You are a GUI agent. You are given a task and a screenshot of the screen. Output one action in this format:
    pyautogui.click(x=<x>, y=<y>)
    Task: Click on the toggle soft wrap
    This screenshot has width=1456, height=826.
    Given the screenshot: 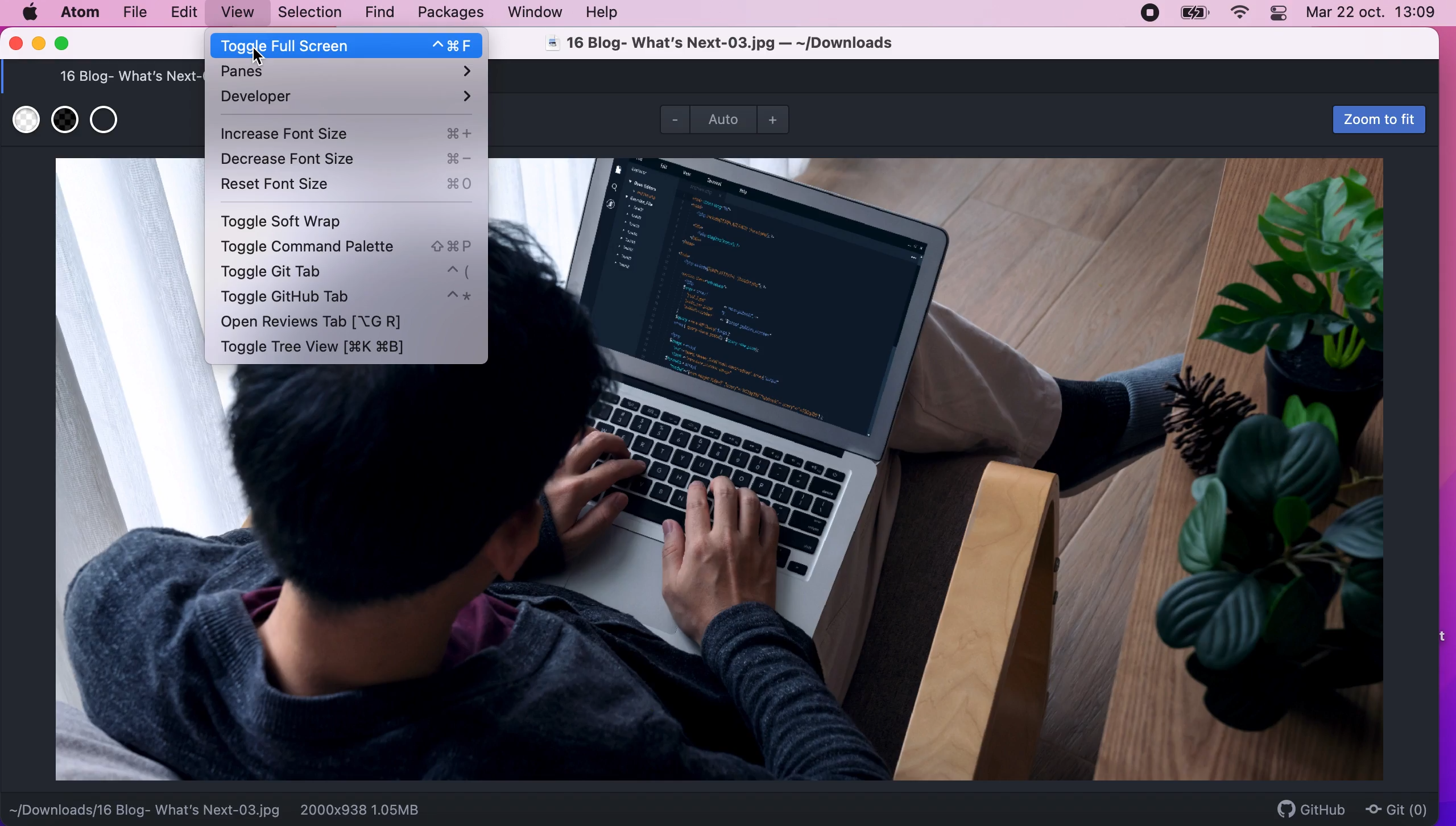 What is the action you would take?
    pyautogui.click(x=337, y=221)
    